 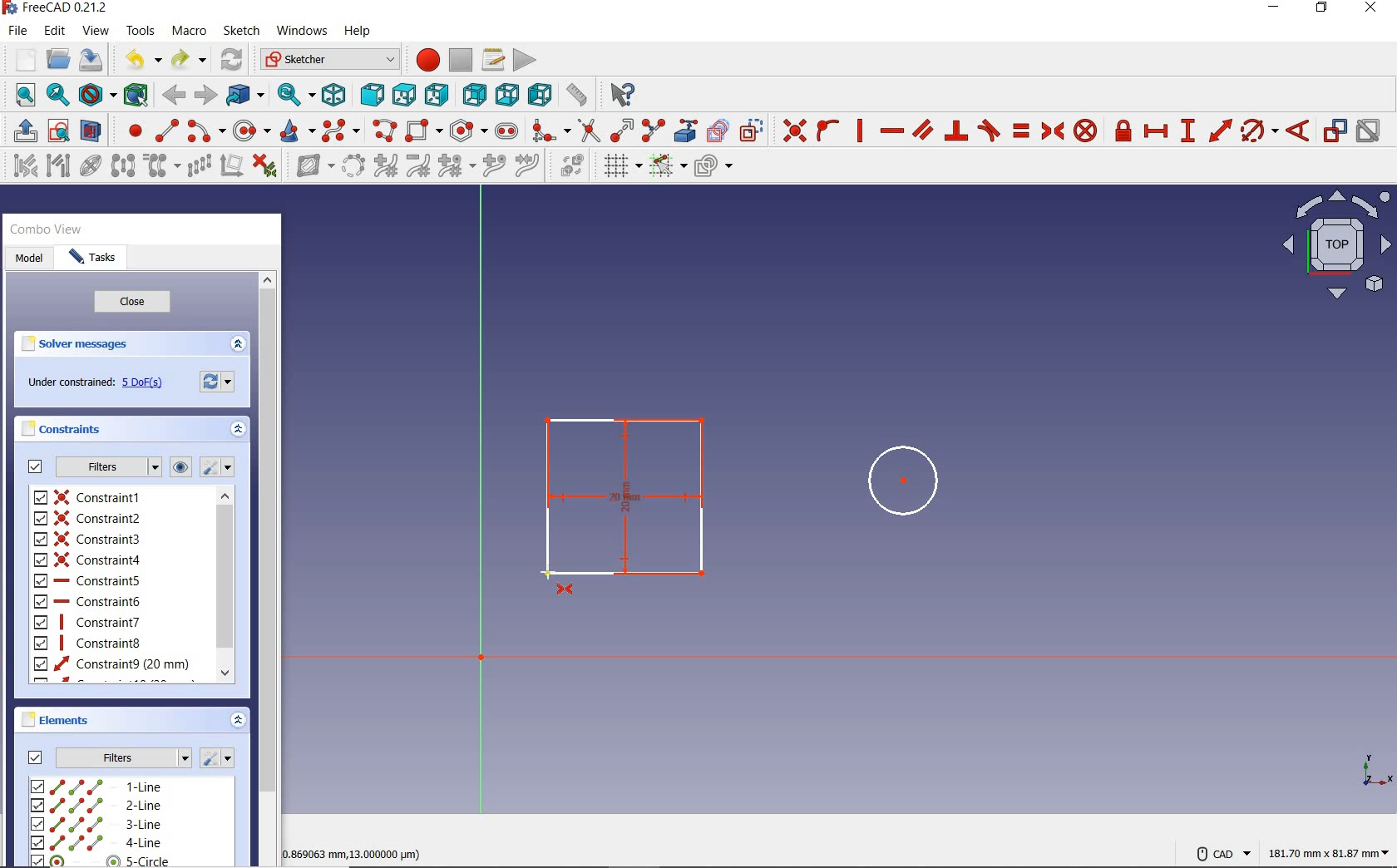 I want to click on constraint1, so click(x=91, y=496).